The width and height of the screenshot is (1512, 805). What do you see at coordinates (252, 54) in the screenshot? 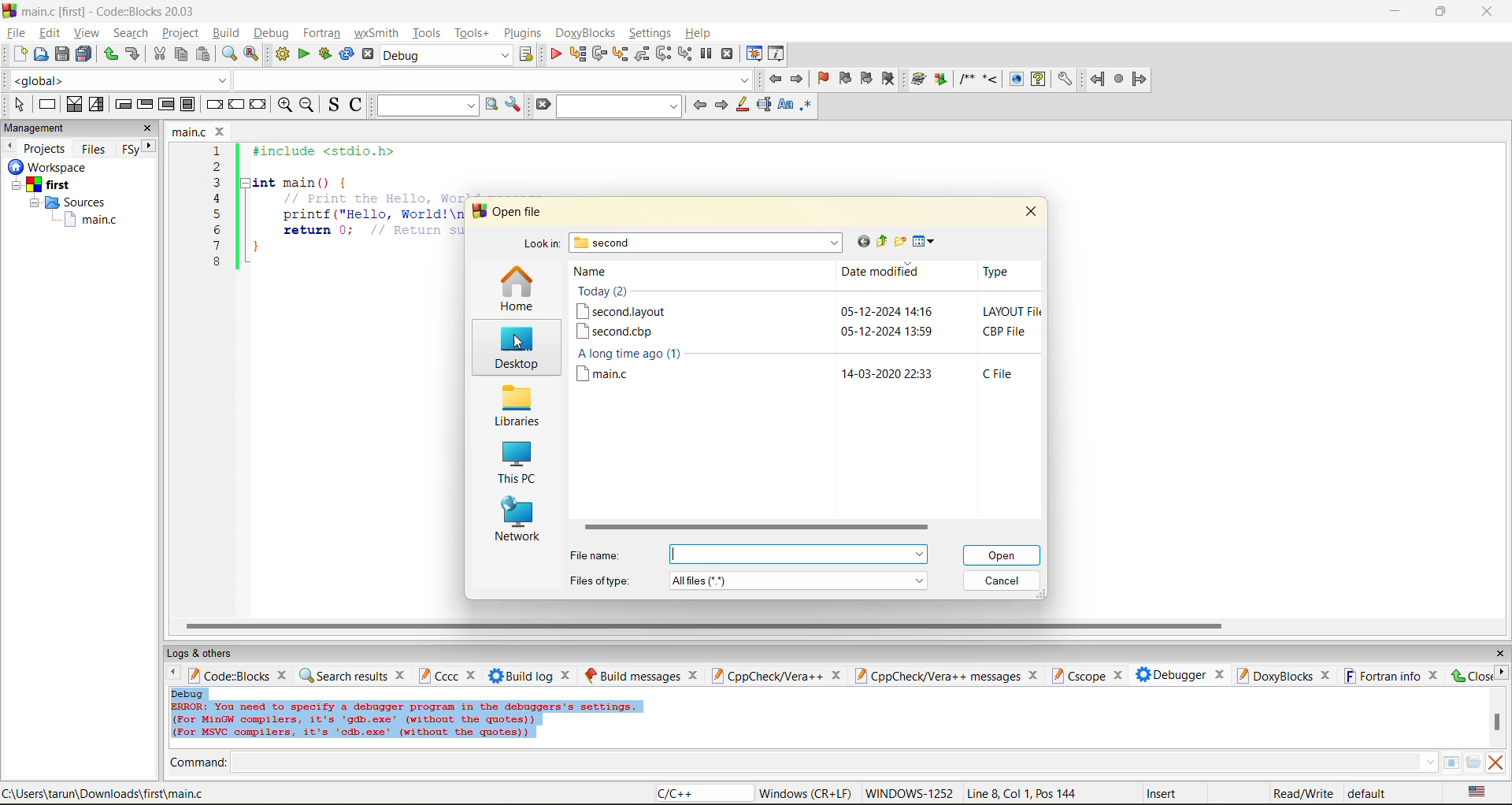
I see `replace` at bounding box center [252, 54].